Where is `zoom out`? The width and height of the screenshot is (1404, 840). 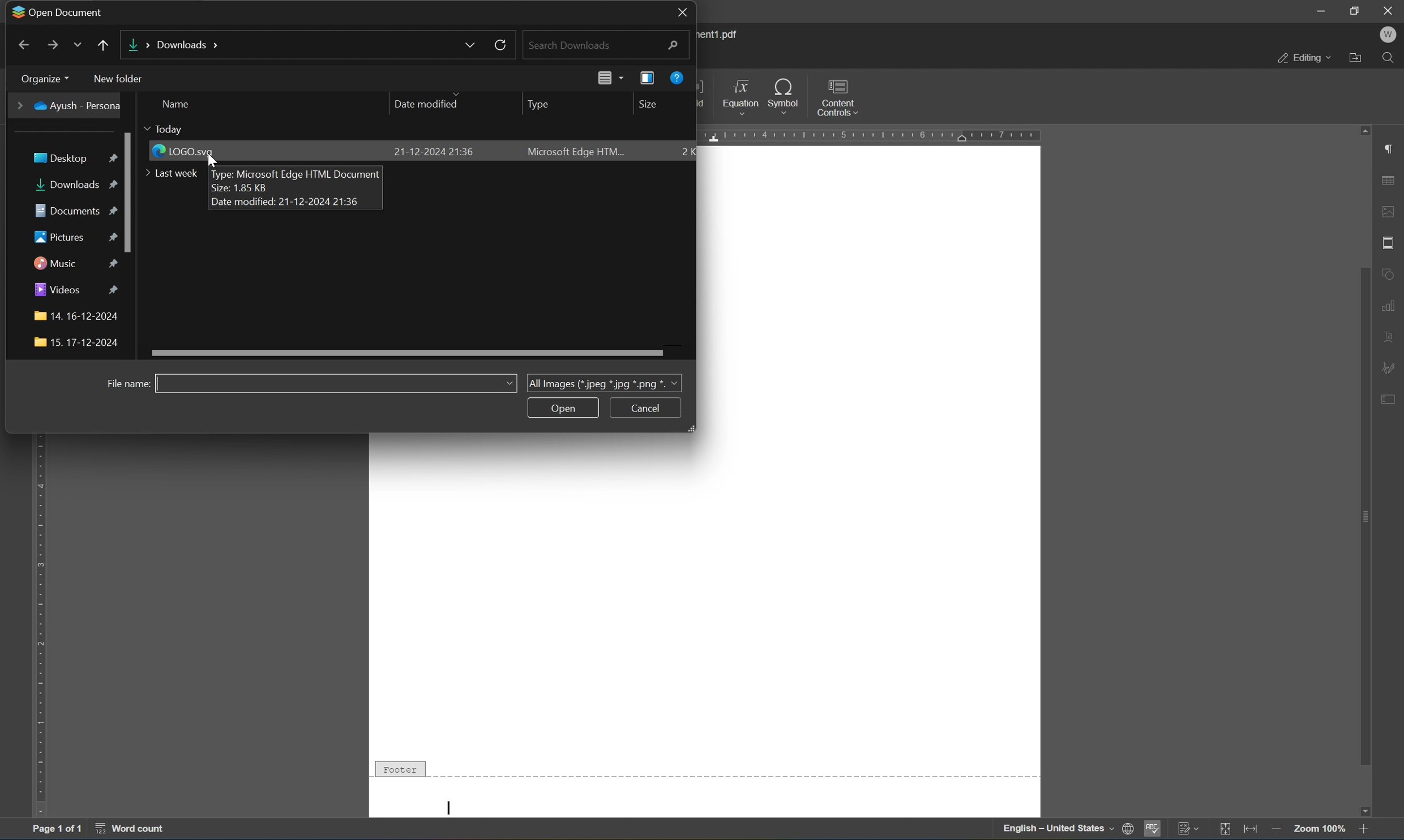 zoom out is located at coordinates (1275, 829).